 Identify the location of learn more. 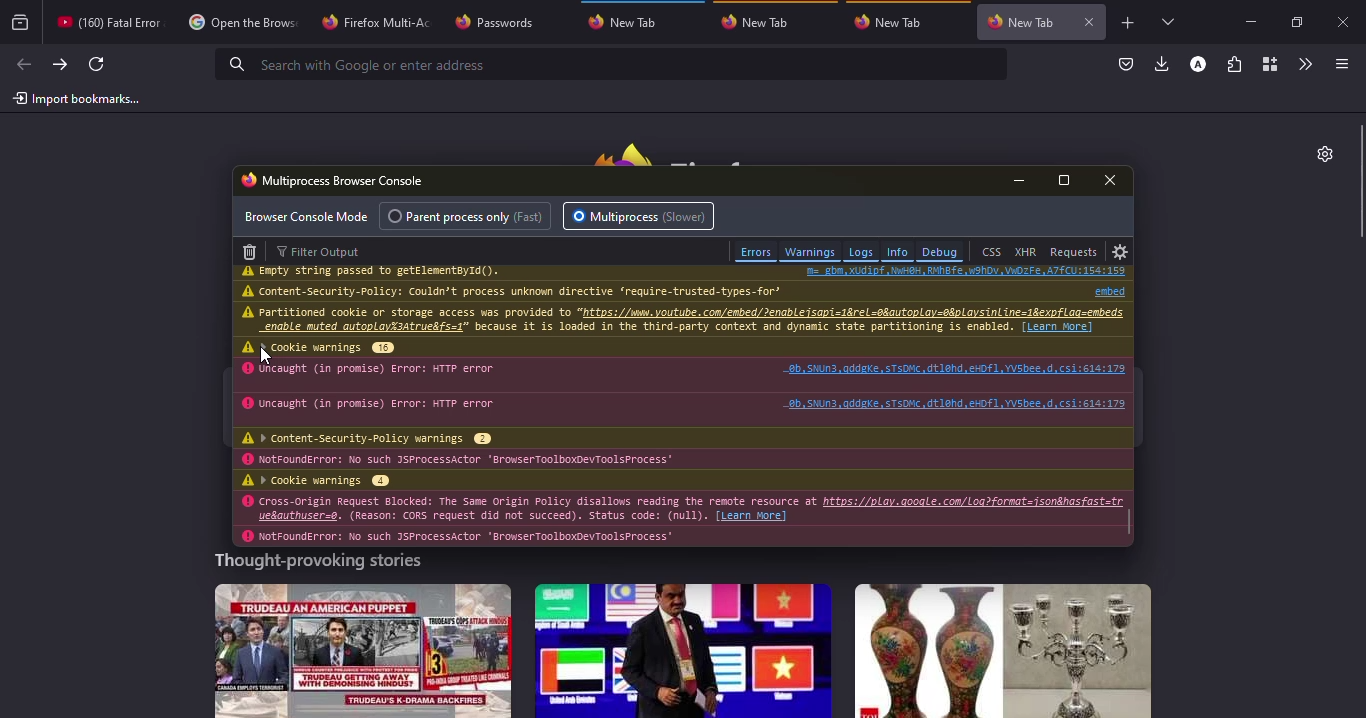
(1058, 326).